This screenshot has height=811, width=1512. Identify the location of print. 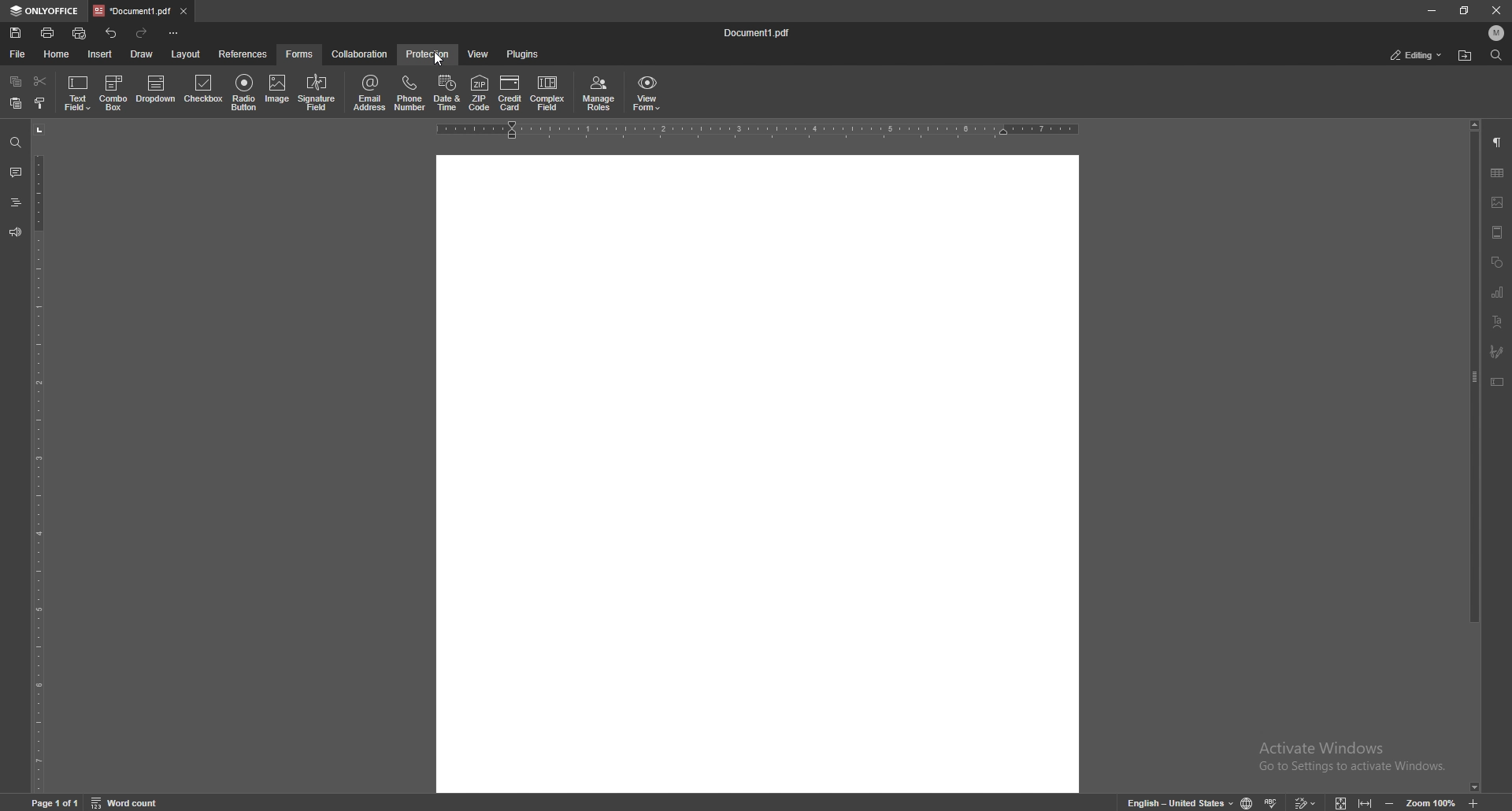
(49, 32).